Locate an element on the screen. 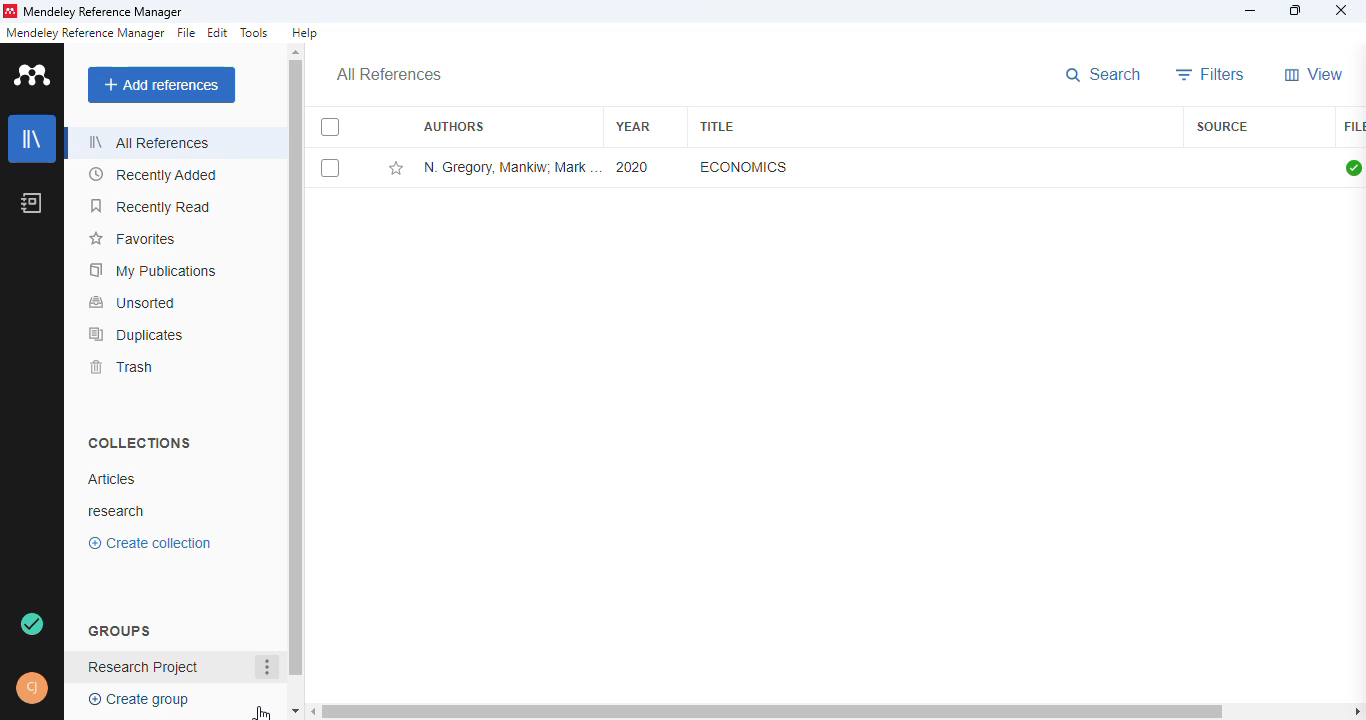 The image size is (1366, 720). vertical scroll bar is located at coordinates (295, 381).